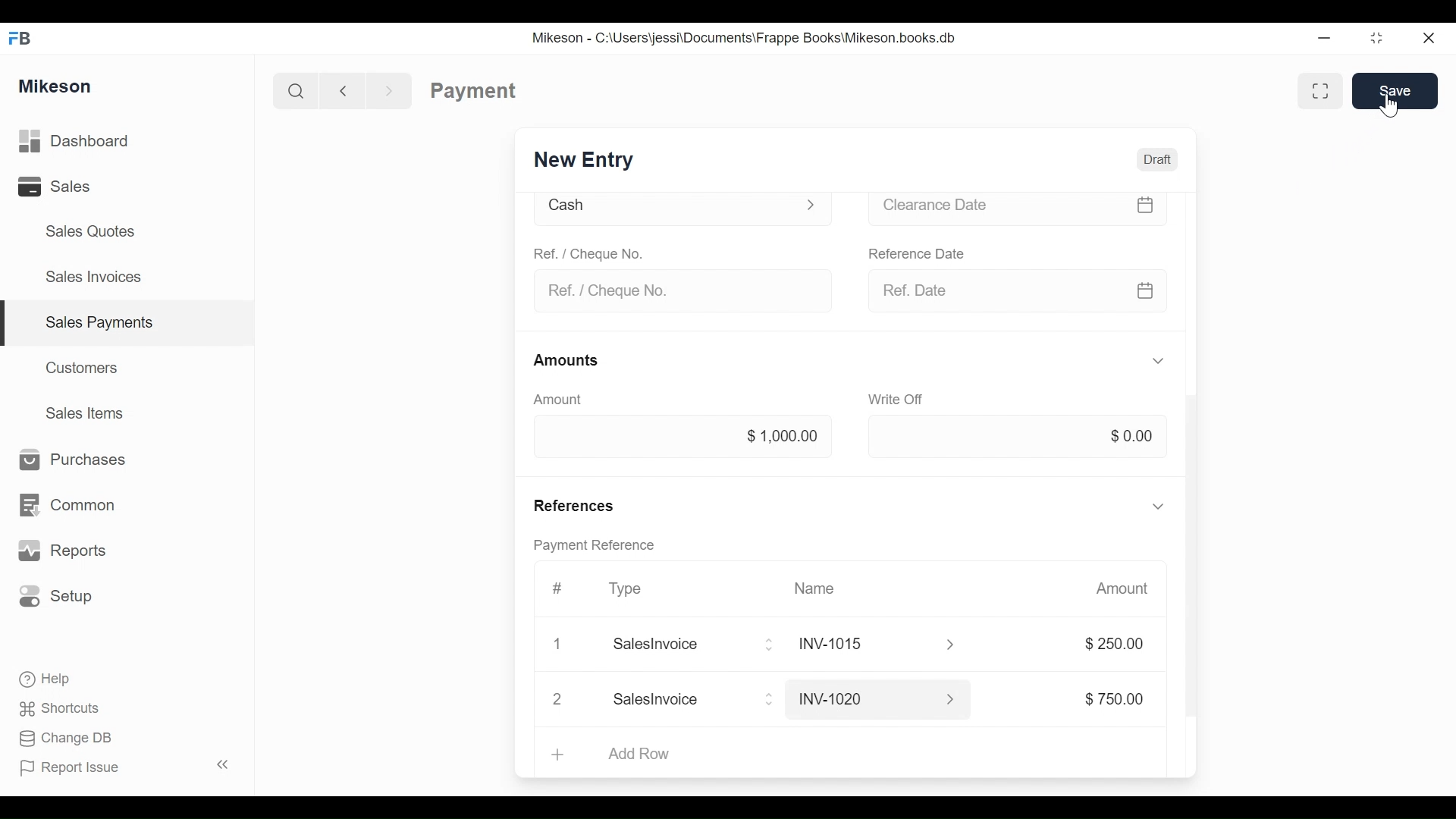 The height and width of the screenshot is (819, 1456). I want to click on Shortcuts, so click(66, 704).